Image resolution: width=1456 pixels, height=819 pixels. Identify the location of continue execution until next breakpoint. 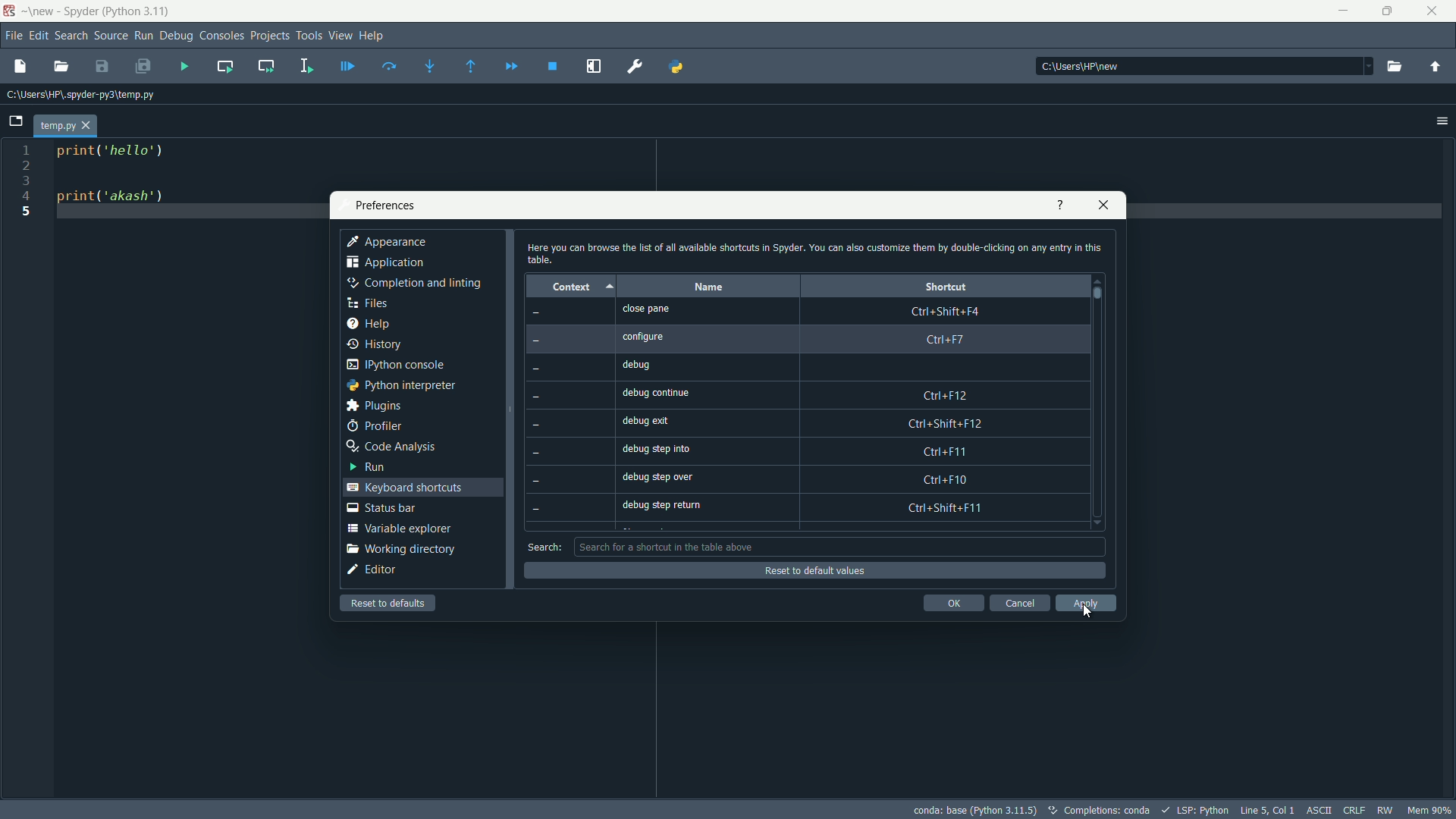
(510, 67).